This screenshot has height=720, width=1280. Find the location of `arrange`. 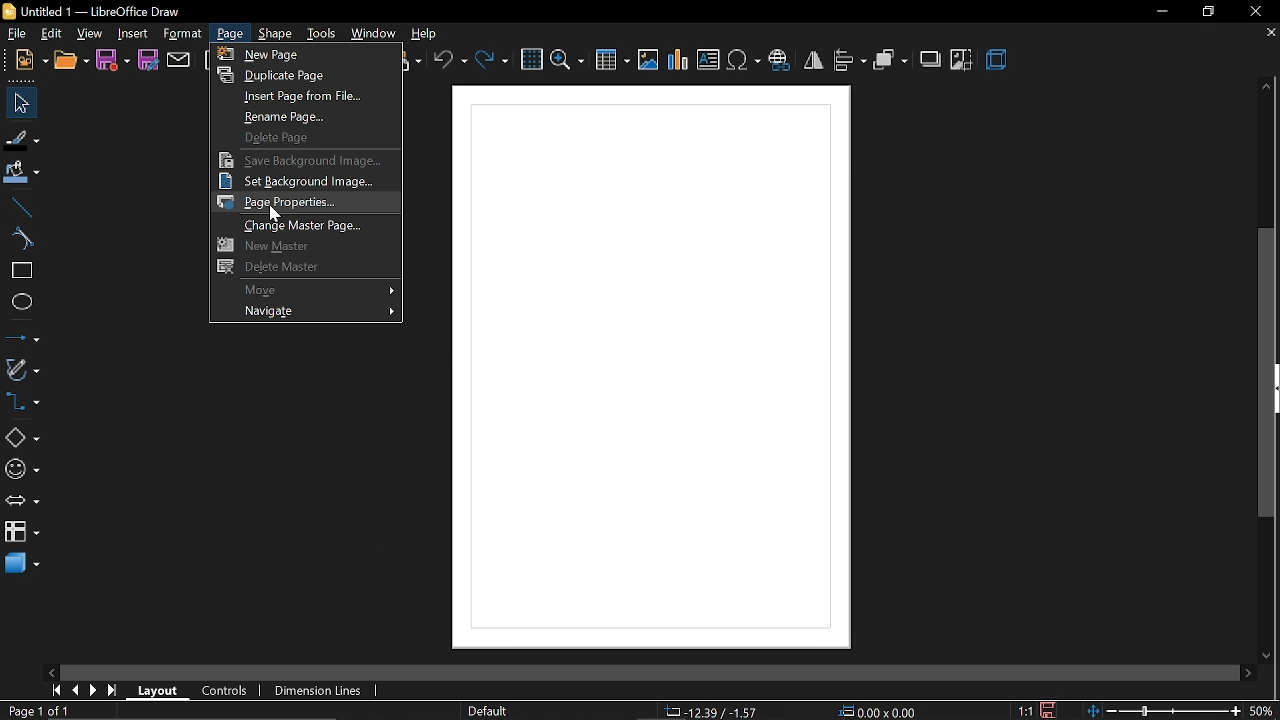

arrange is located at coordinates (890, 60).